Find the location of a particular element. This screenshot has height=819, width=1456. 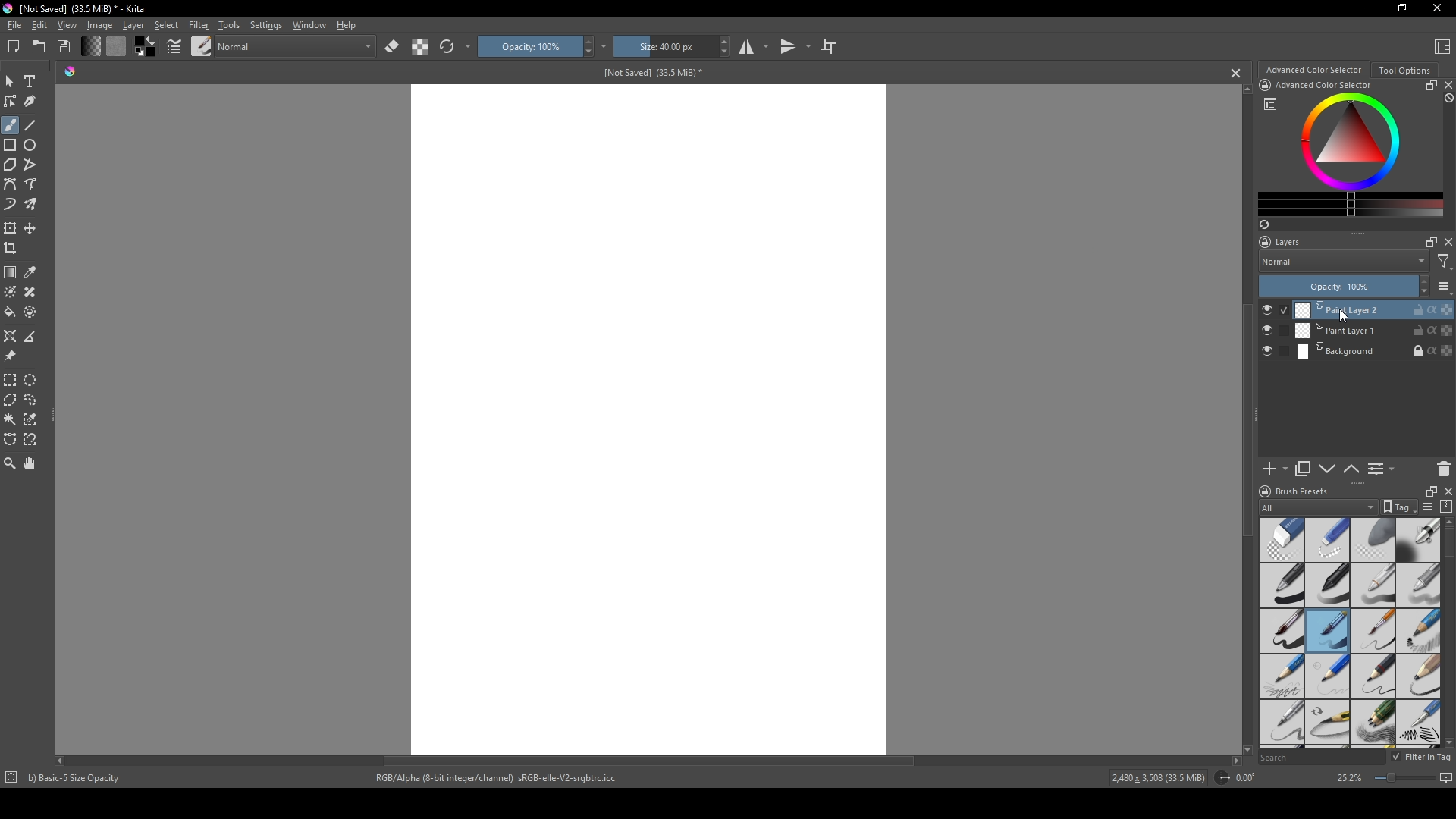

Save is located at coordinates (65, 45).